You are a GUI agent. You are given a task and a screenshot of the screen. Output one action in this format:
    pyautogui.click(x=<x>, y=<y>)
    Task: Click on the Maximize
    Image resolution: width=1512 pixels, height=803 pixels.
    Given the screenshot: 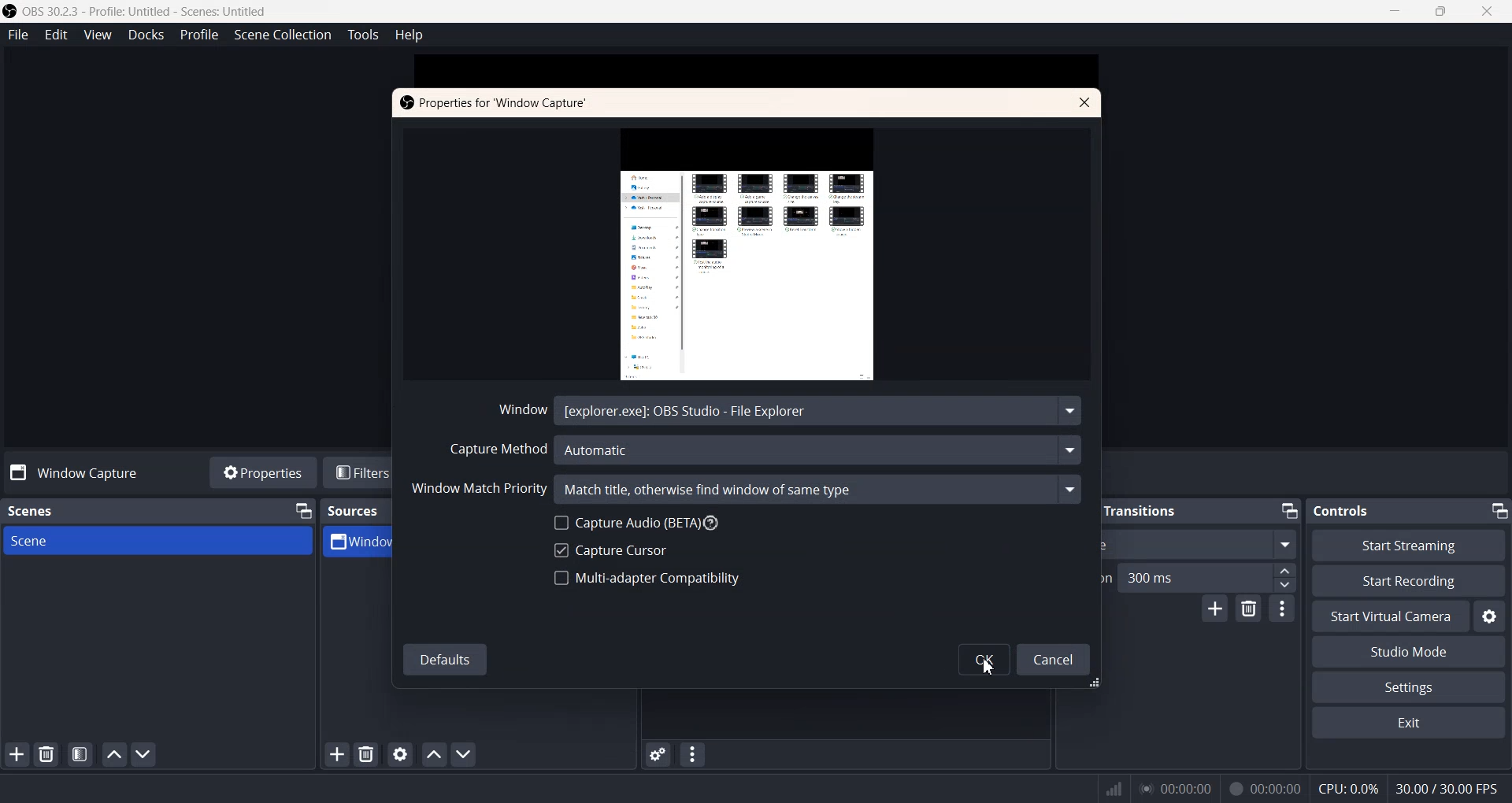 What is the action you would take?
    pyautogui.click(x=1442, y=13)
    